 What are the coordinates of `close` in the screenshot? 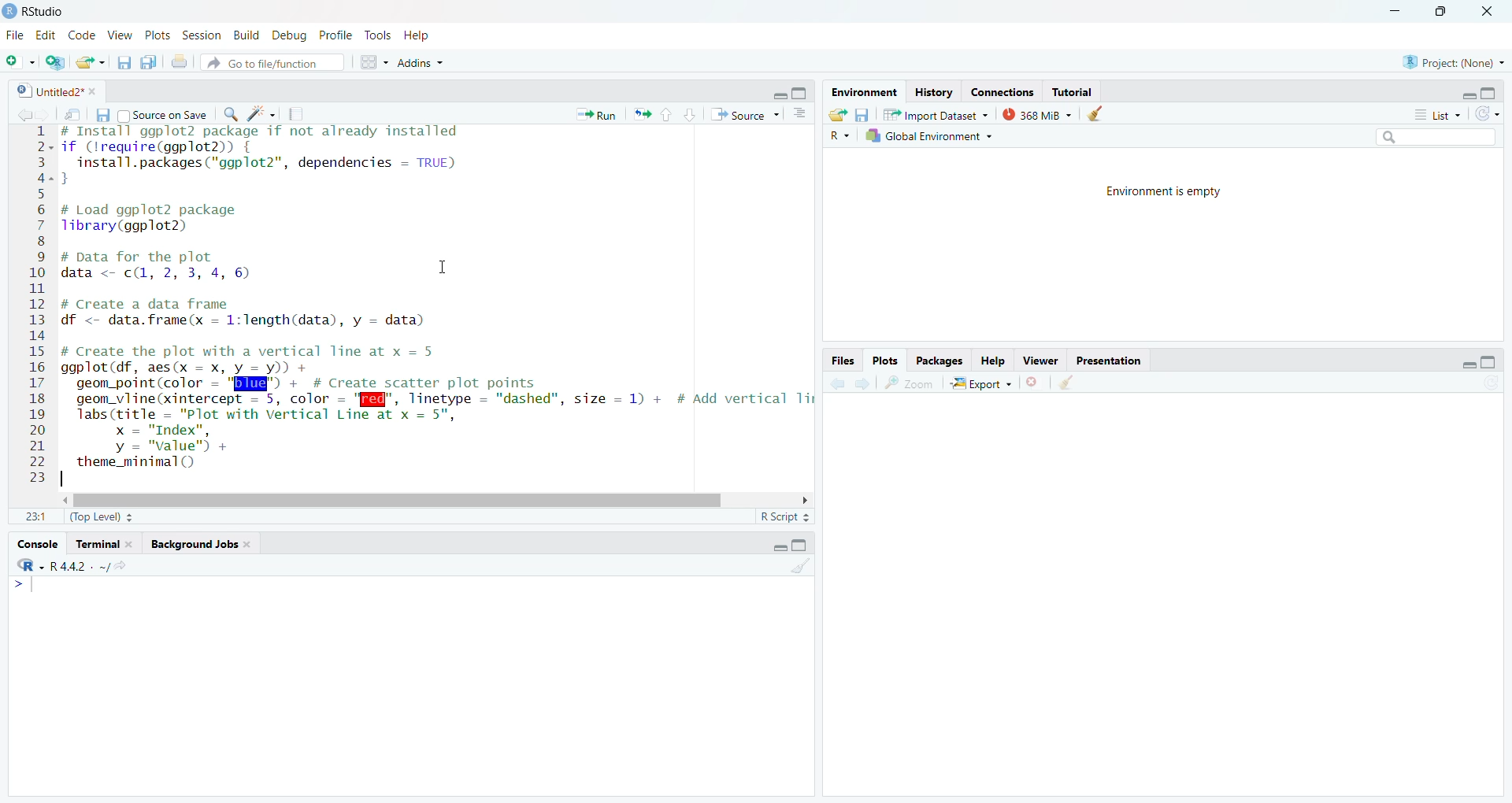 It's located at (1492, 13).